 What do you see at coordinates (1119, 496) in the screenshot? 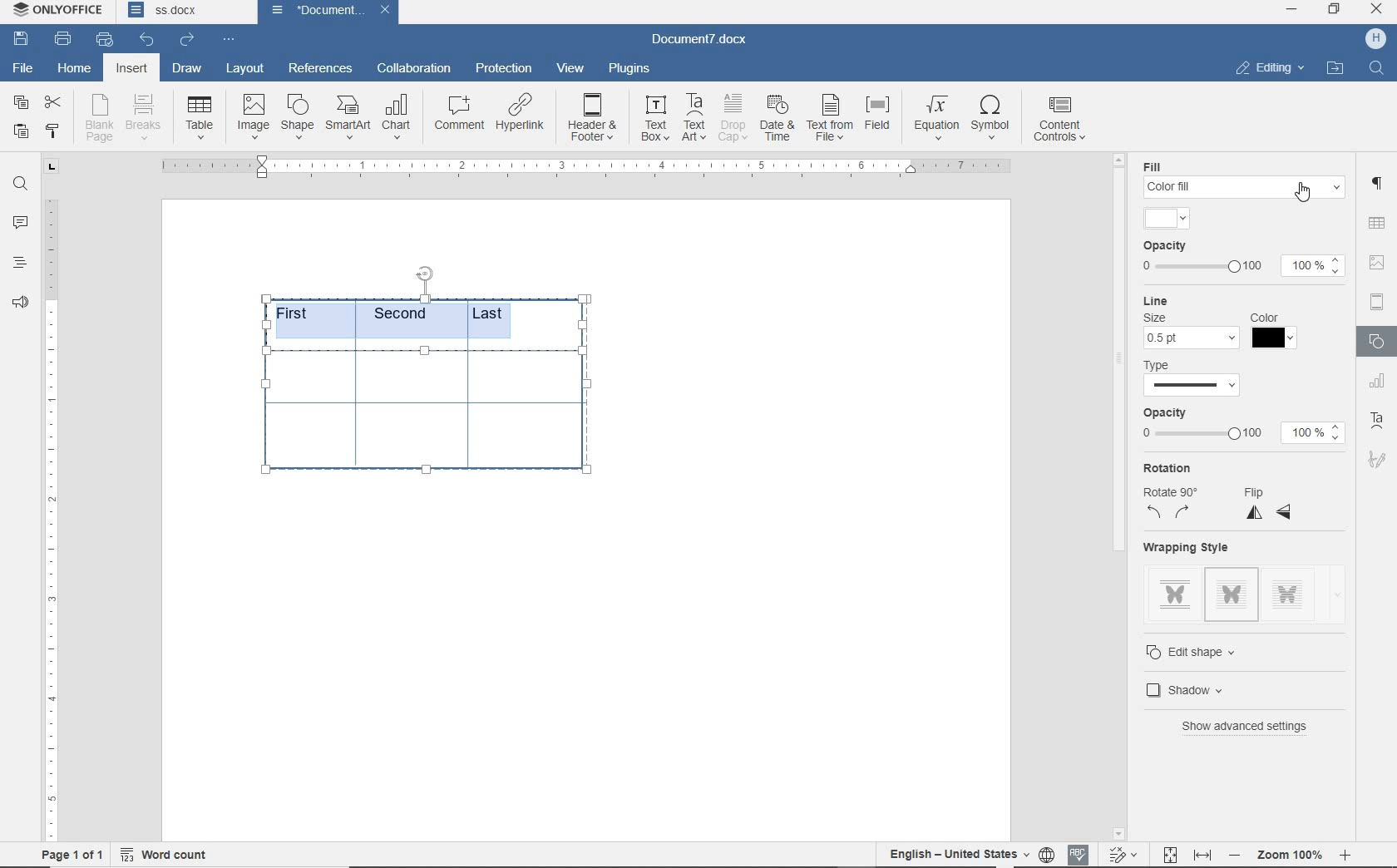
I see `scrollbar` at bounding box center [1119, 496].